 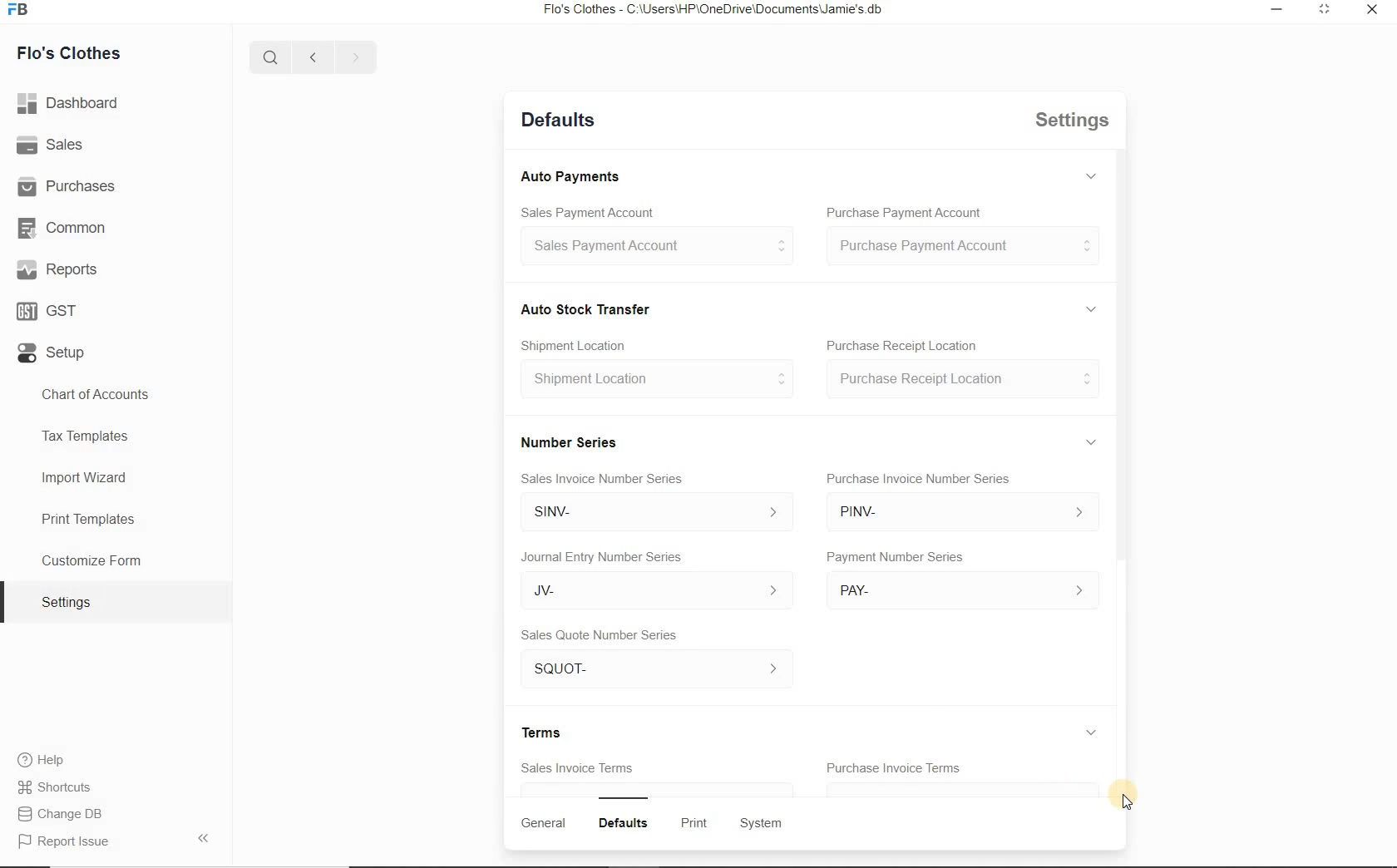 I want to click on Purchase Payment Account, so click(x=928, y=246).